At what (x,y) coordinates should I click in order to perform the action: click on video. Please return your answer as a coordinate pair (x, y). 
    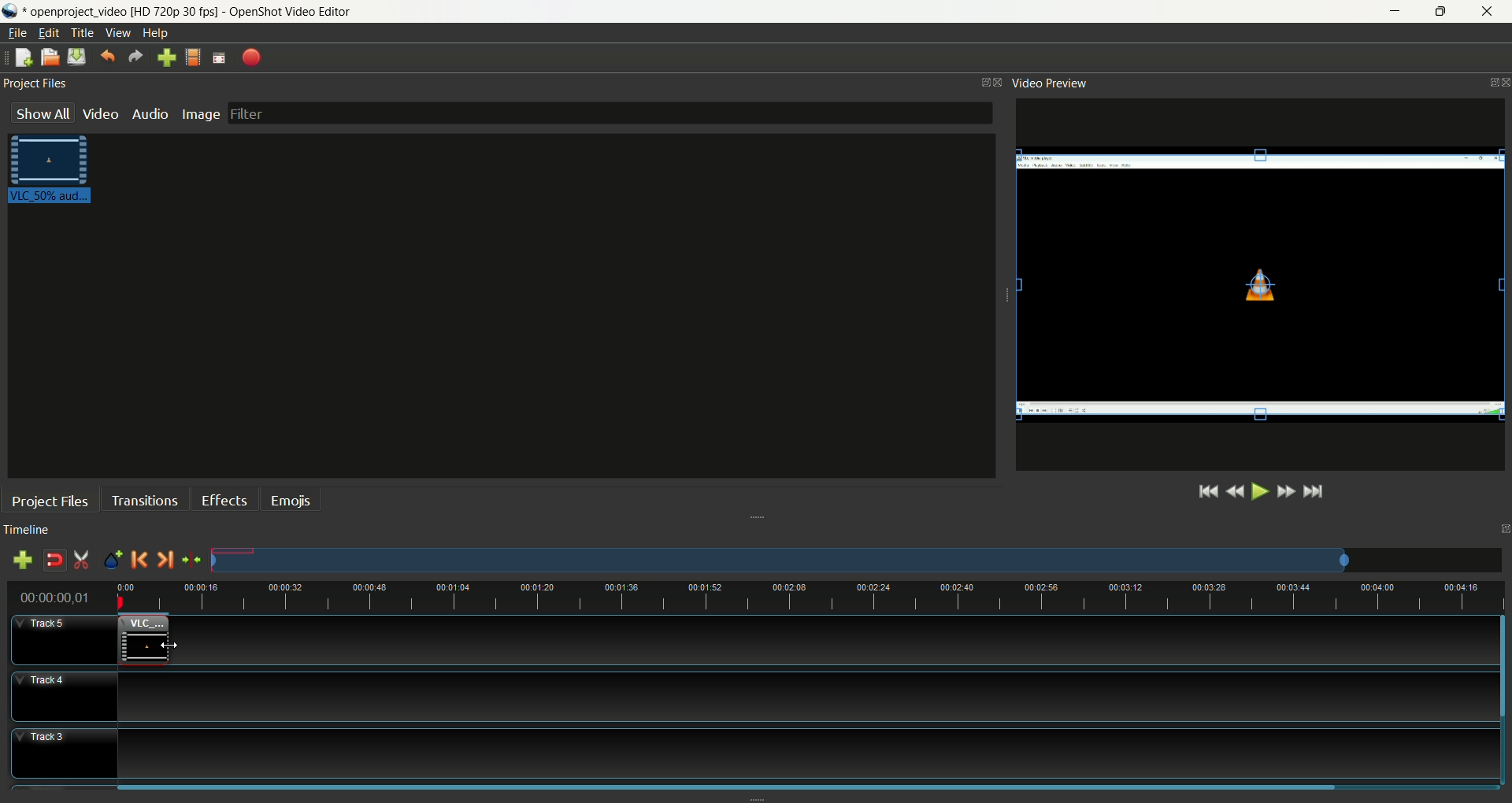
    Looking at the image, I should click on (101, 113).